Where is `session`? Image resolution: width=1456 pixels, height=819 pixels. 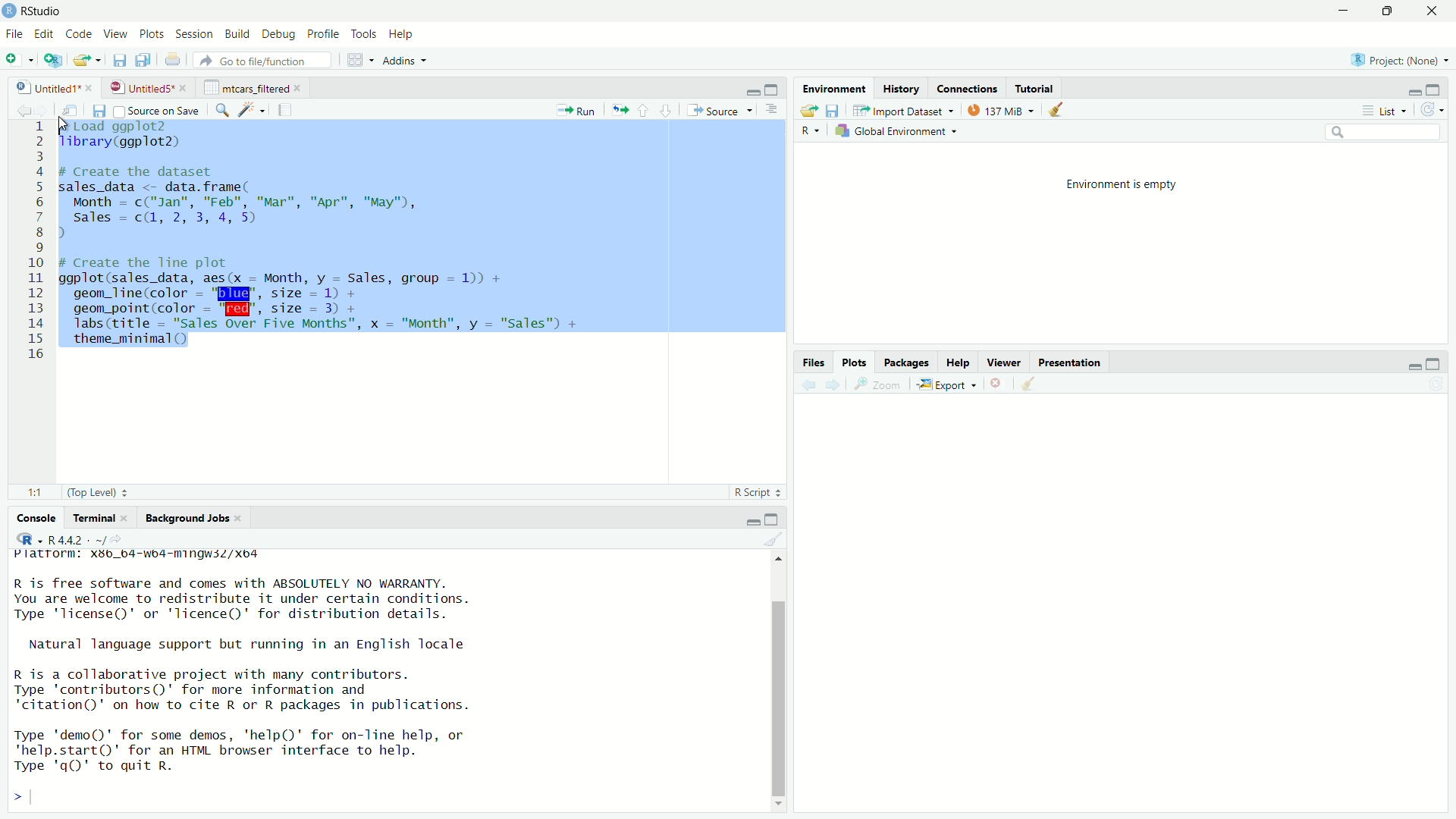
session is located at coordinates (195, 35).